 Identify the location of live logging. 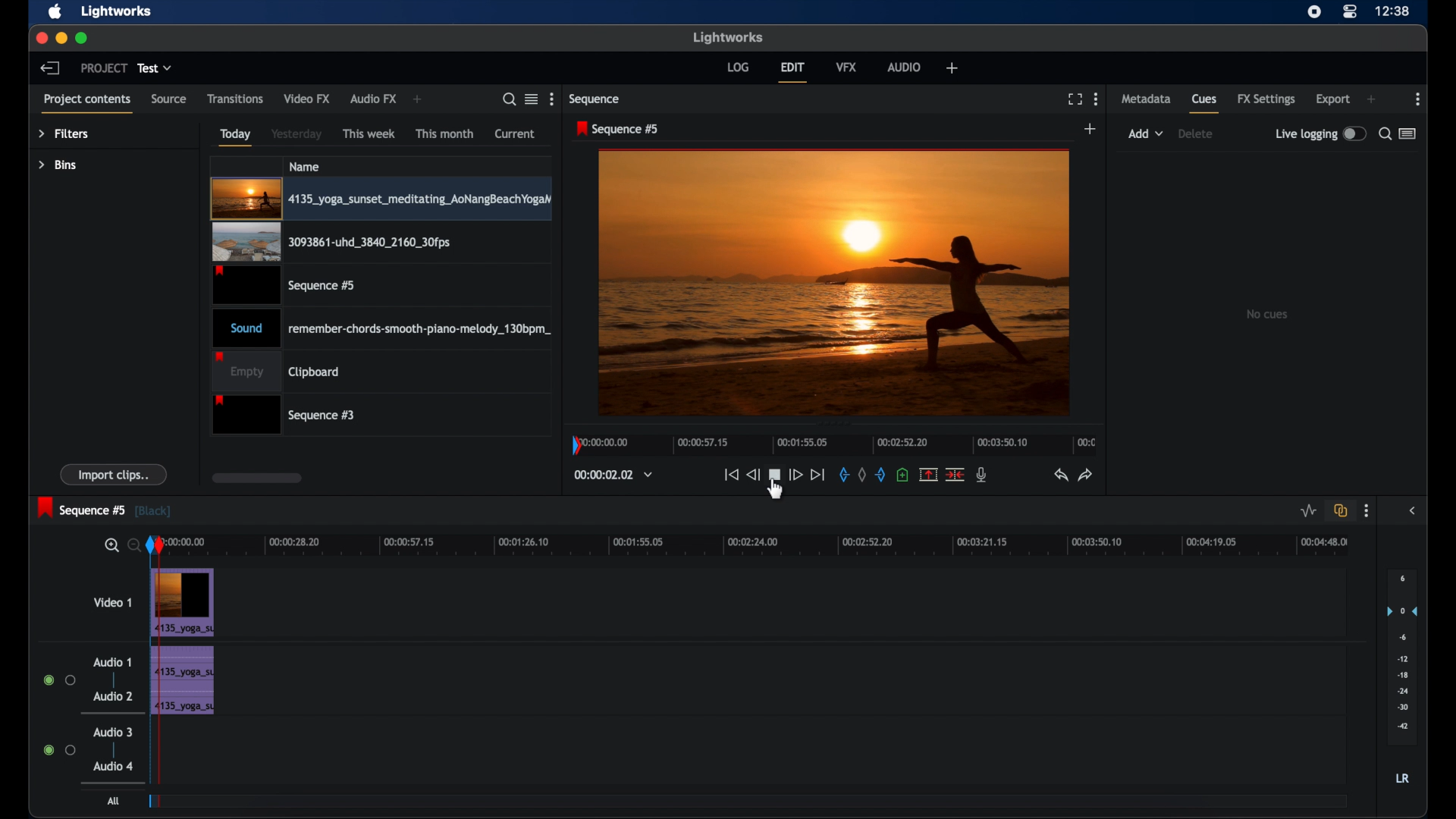
(1319, 133).